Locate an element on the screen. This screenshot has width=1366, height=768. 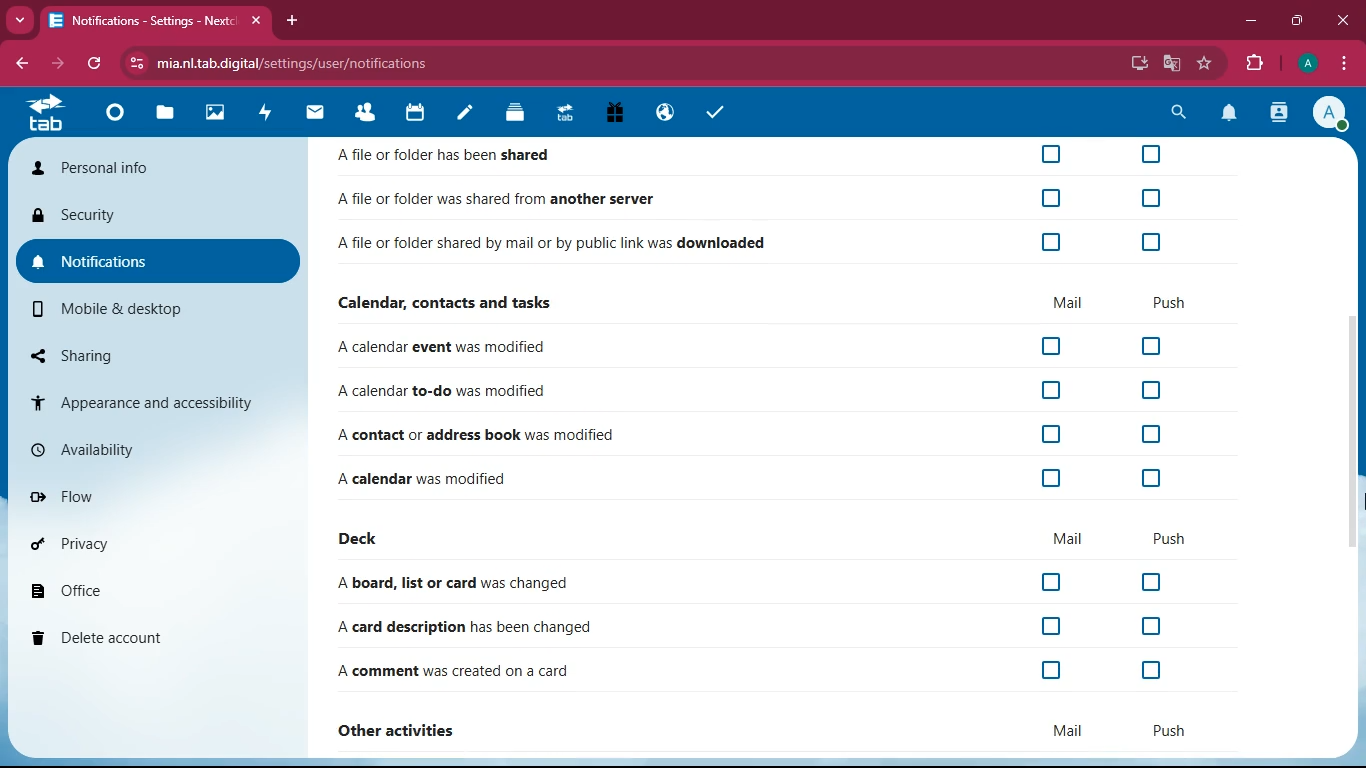
availability is located at coordinates (156, 447).